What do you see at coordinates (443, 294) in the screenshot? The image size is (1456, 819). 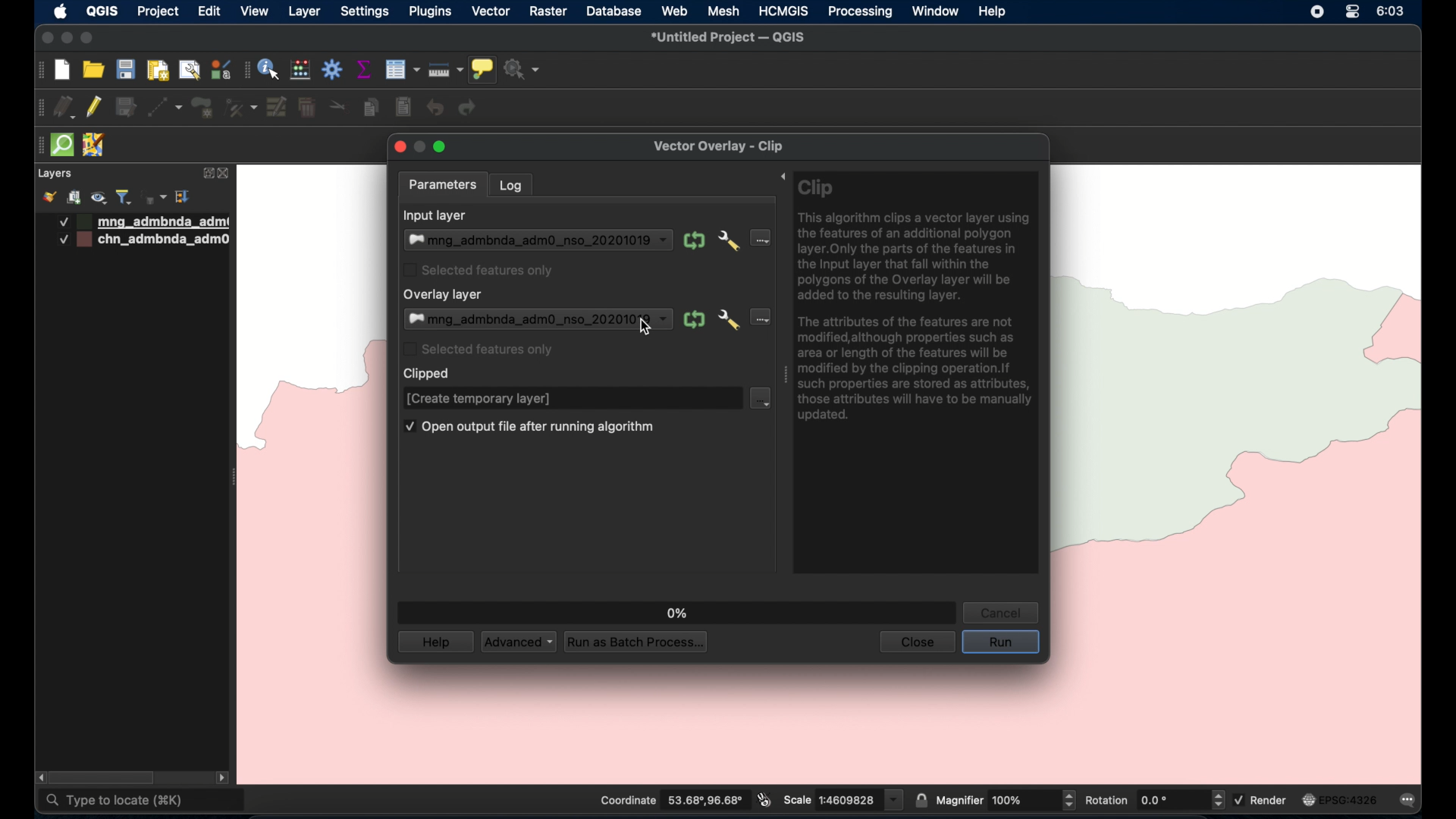 I see `overlaylayer` at bounding box center [443, 294].